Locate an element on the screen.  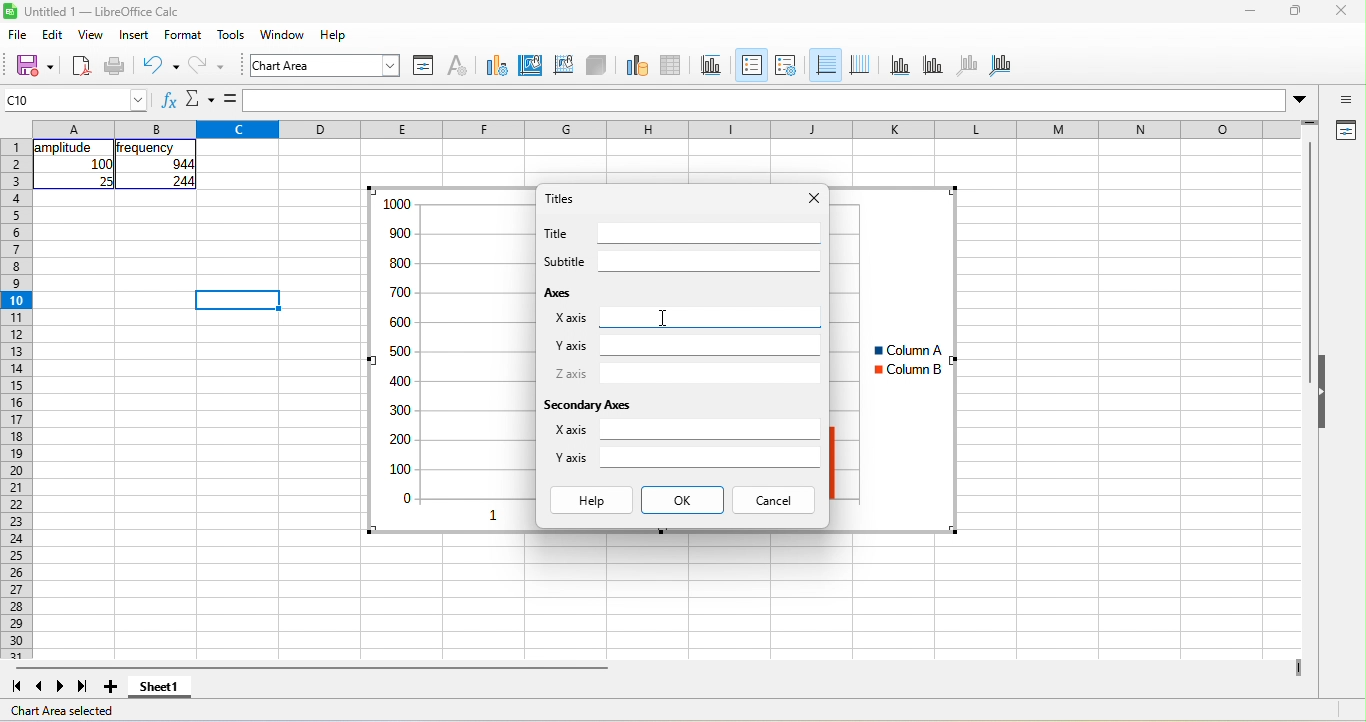
close is located at coordinates (815, 198).